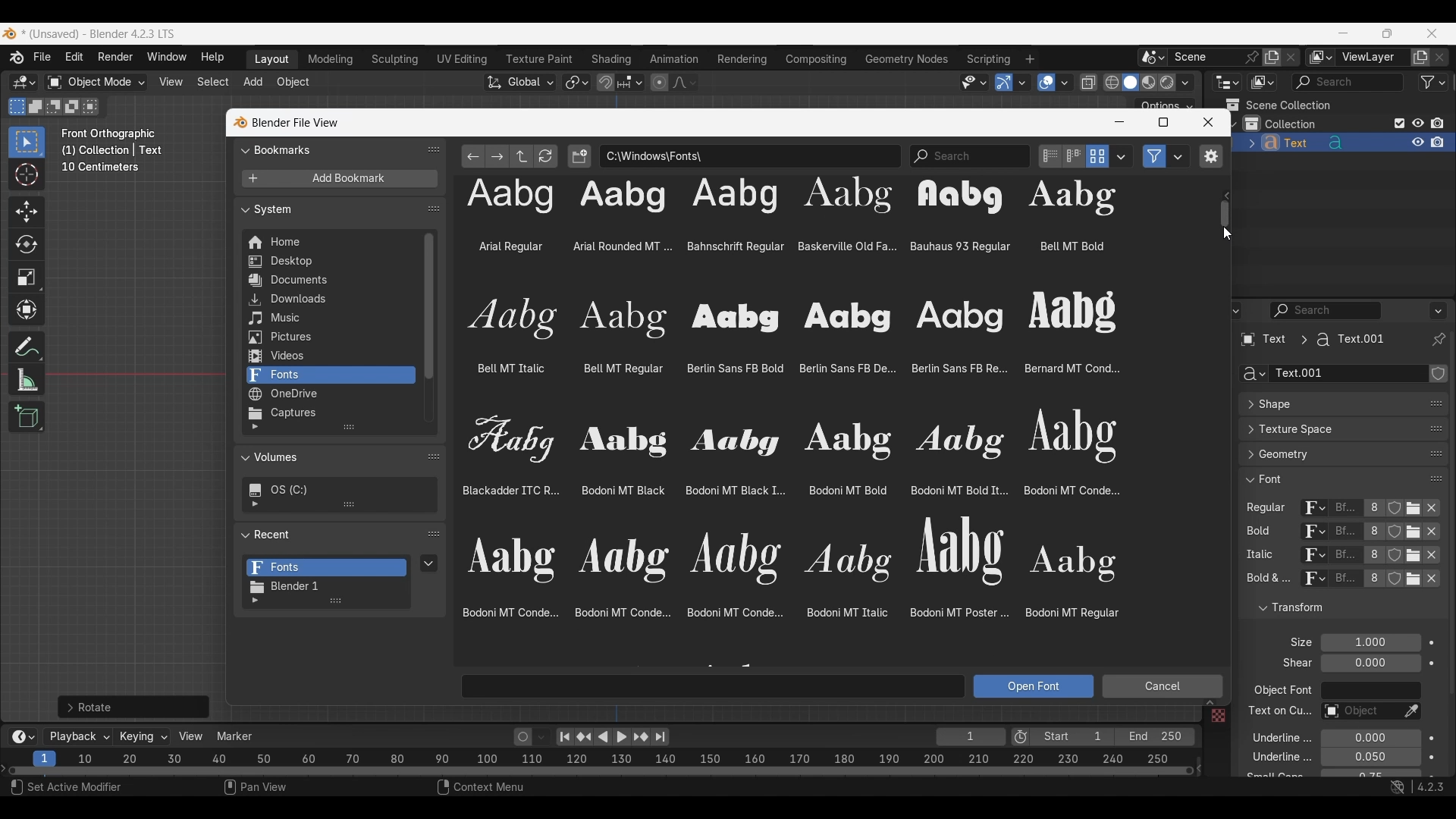 The width and height of the screenshot is (1456, 819). I want to click on change position, so click(1437, 427).